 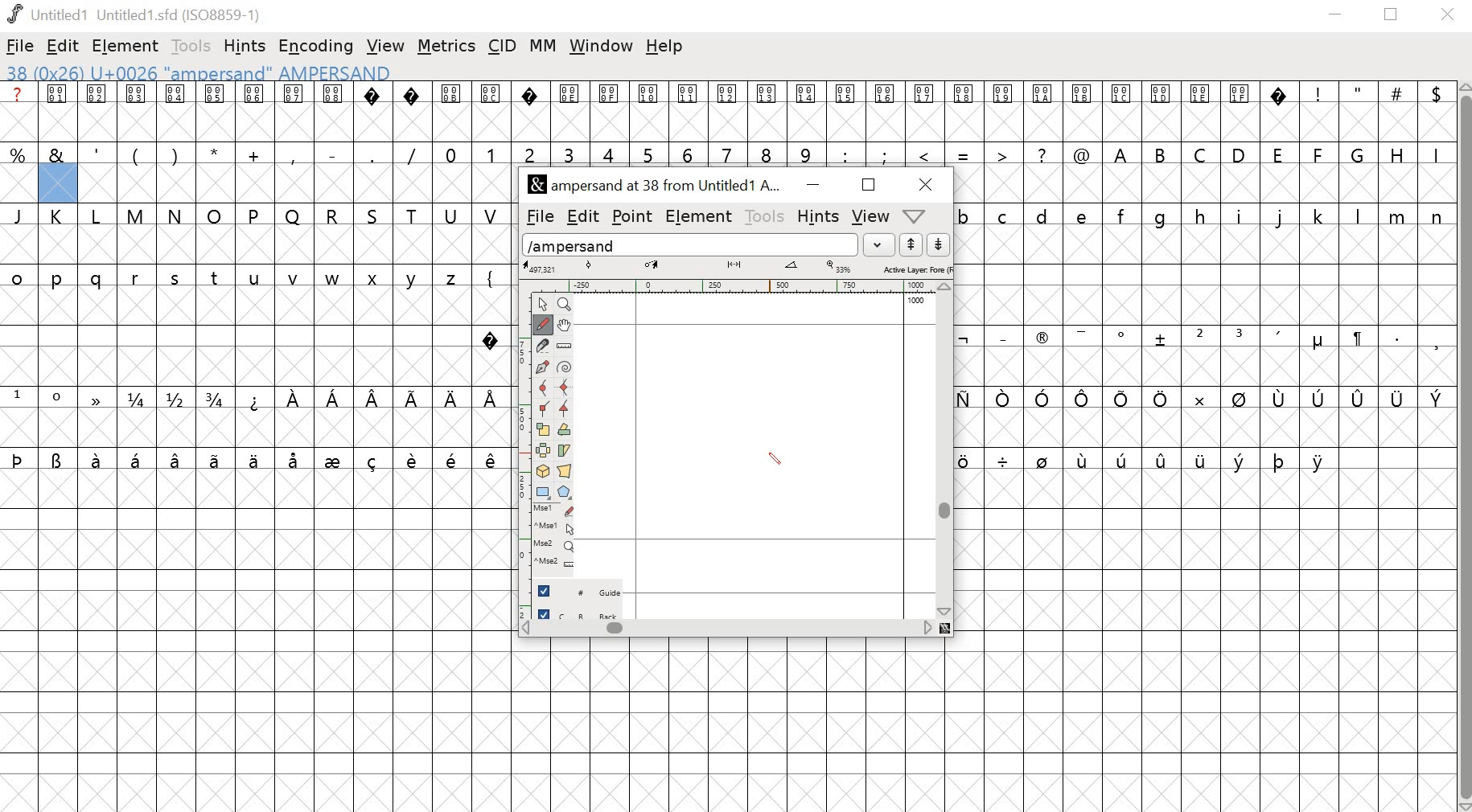 I want to click on J, so click(x=20, y=215).